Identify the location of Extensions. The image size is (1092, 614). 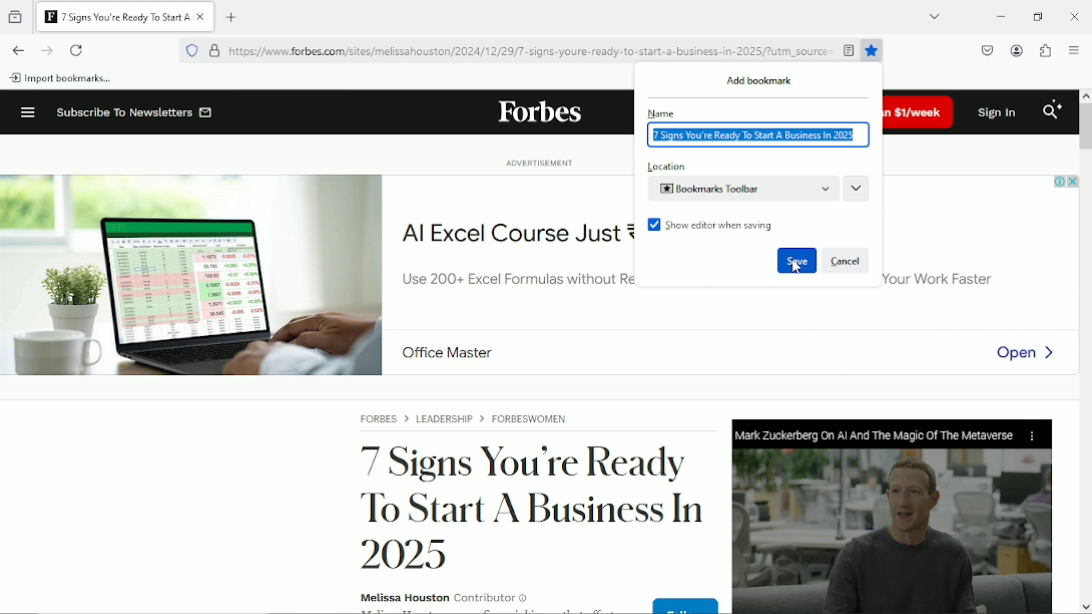
(1046, 50).